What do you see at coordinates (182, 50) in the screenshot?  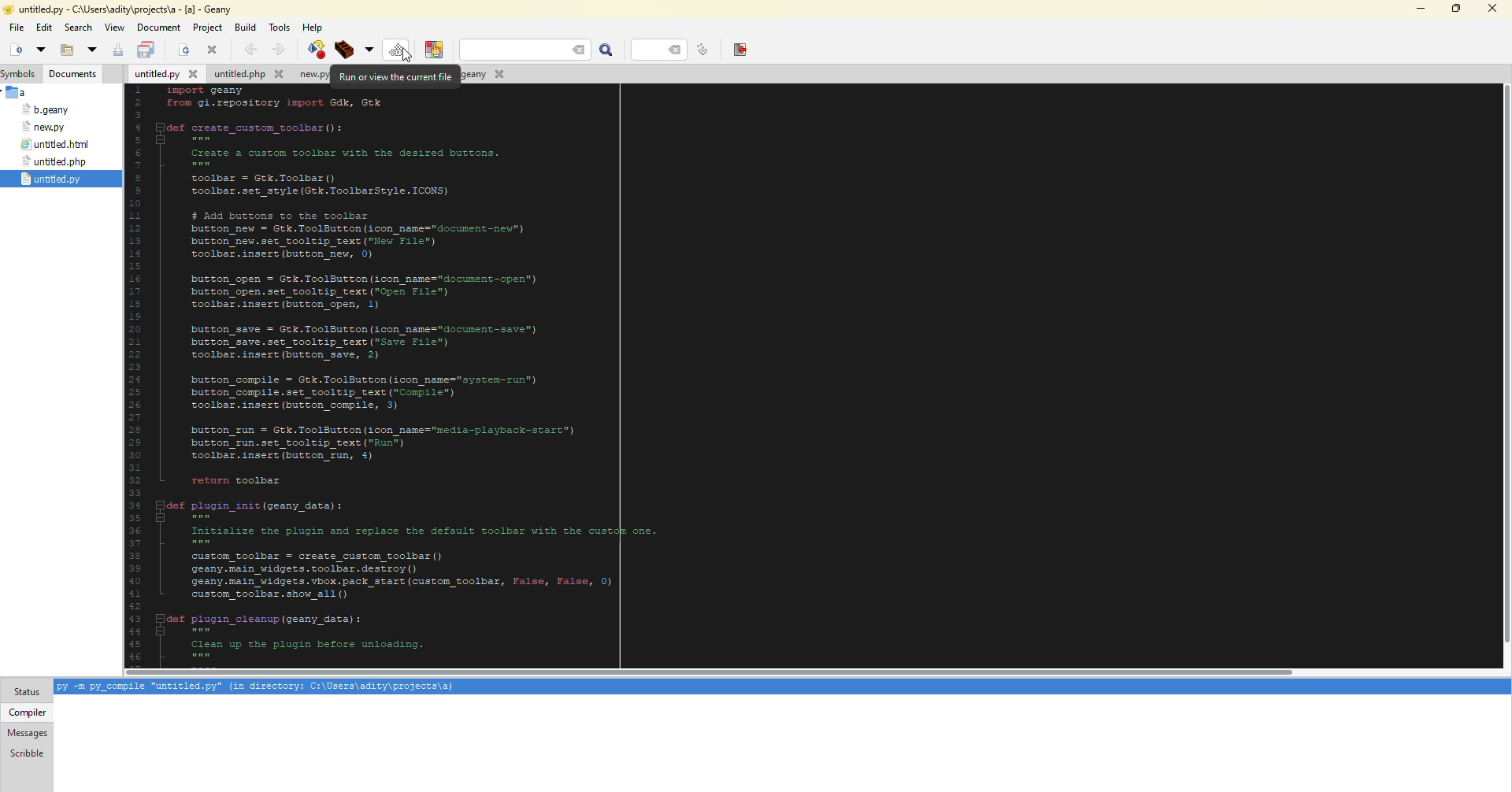 I see `open` at bounding box center [182, 50].